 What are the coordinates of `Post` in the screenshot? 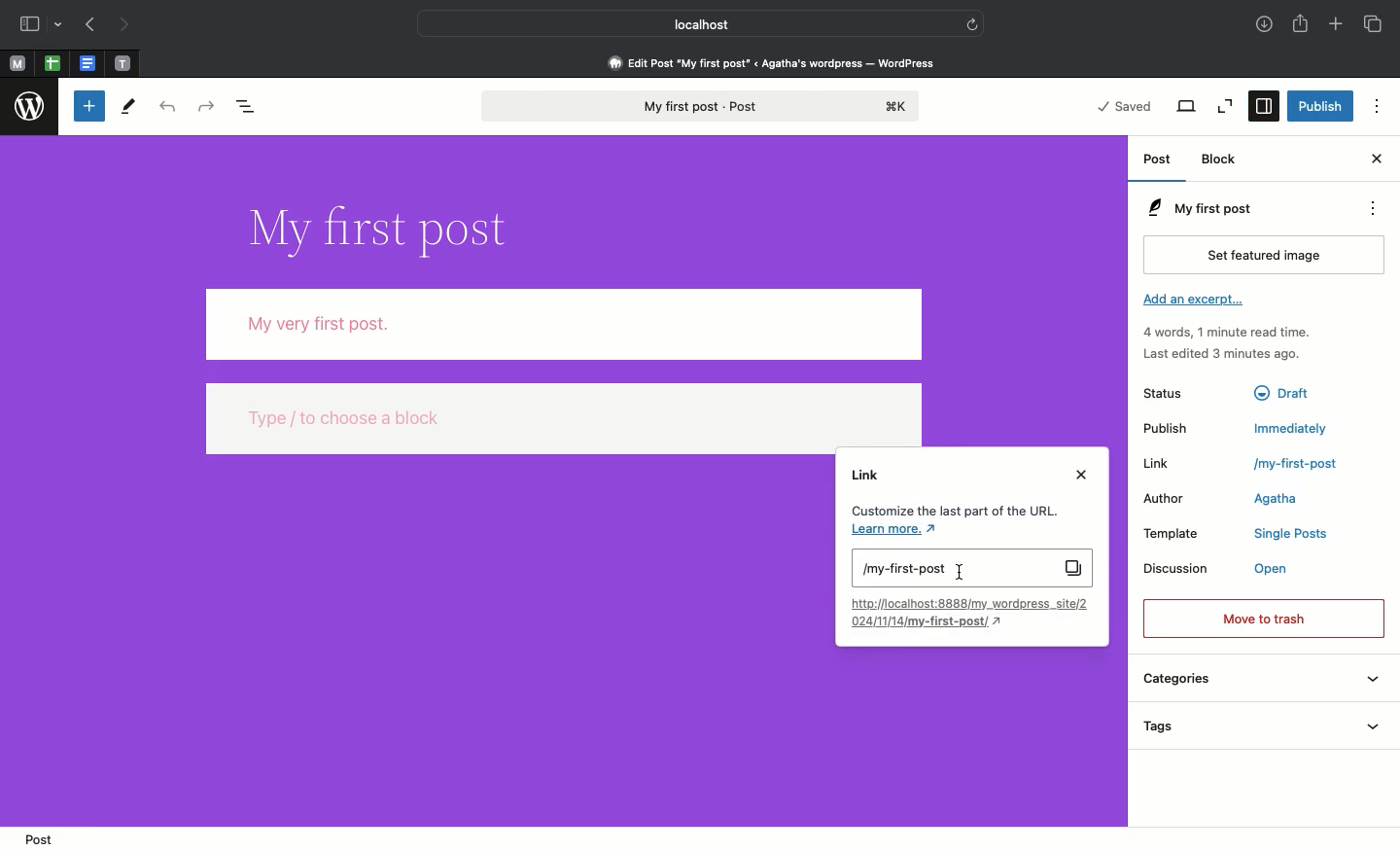 It's located at (1159, 159).